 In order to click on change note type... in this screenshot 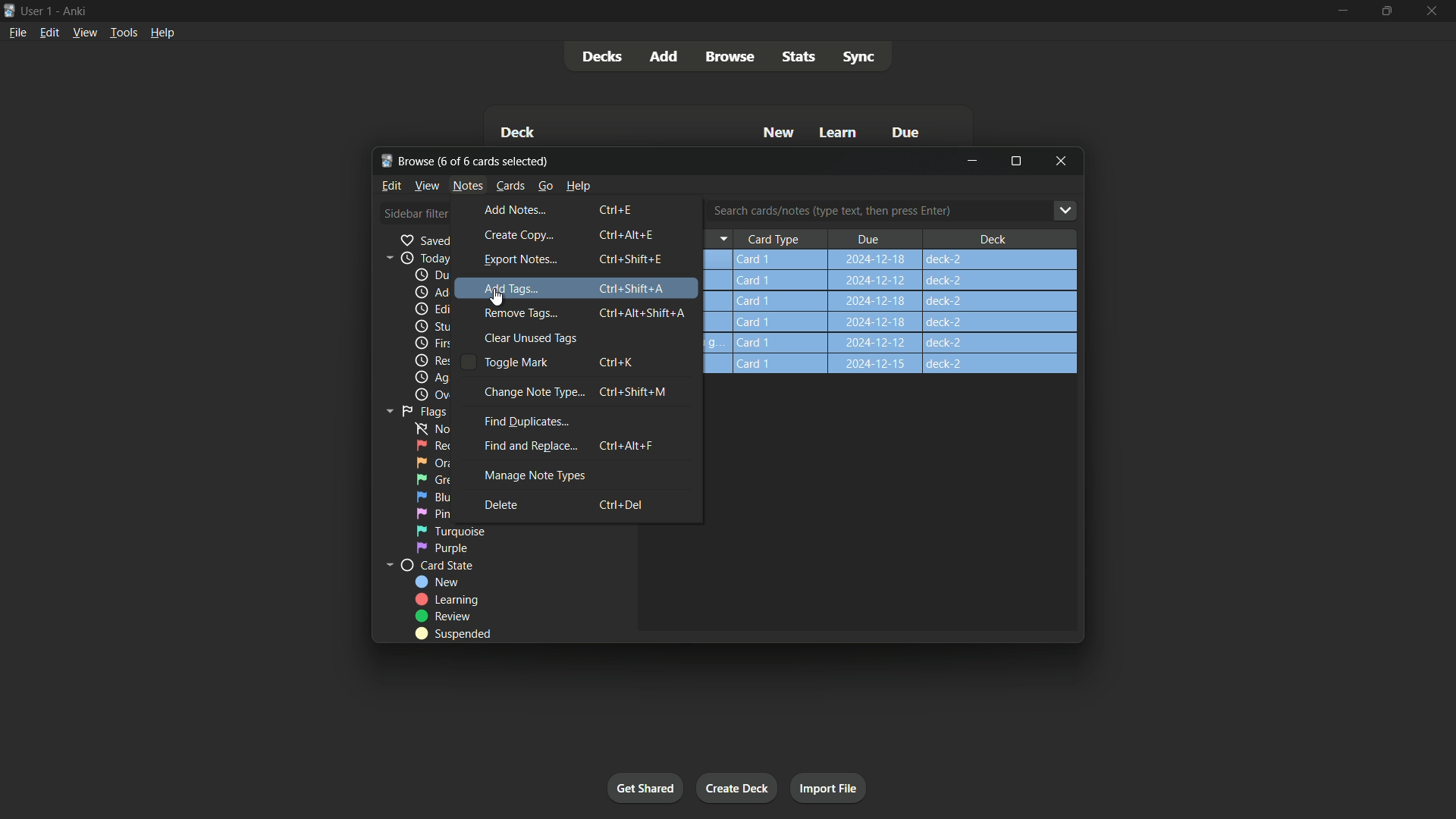, I will do `click(535, 393)`.